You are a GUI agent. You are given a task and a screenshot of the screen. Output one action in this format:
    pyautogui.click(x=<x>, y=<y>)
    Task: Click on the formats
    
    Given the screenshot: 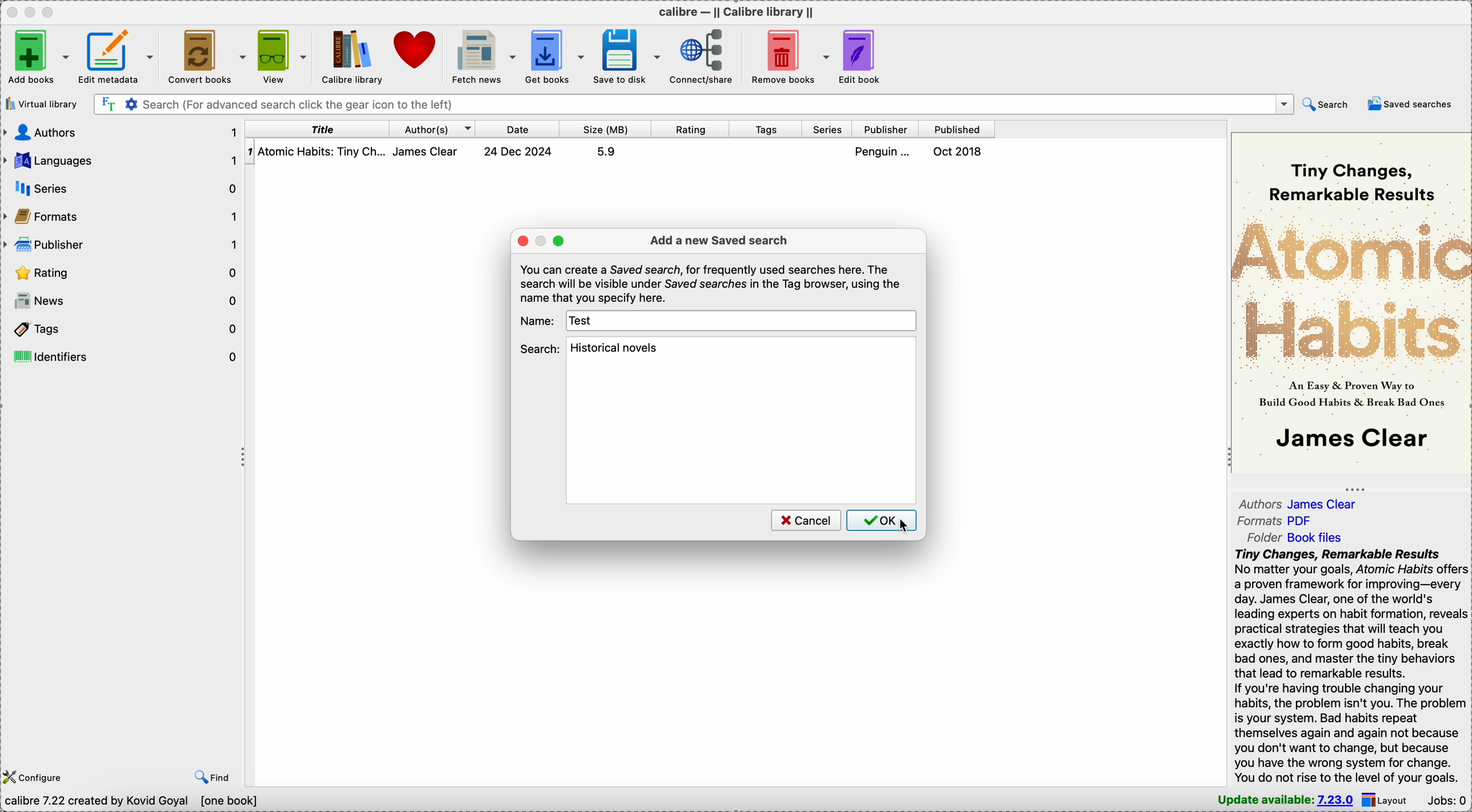 What is the action you would take?
    pyautogui.click(x=123, y=218)
    